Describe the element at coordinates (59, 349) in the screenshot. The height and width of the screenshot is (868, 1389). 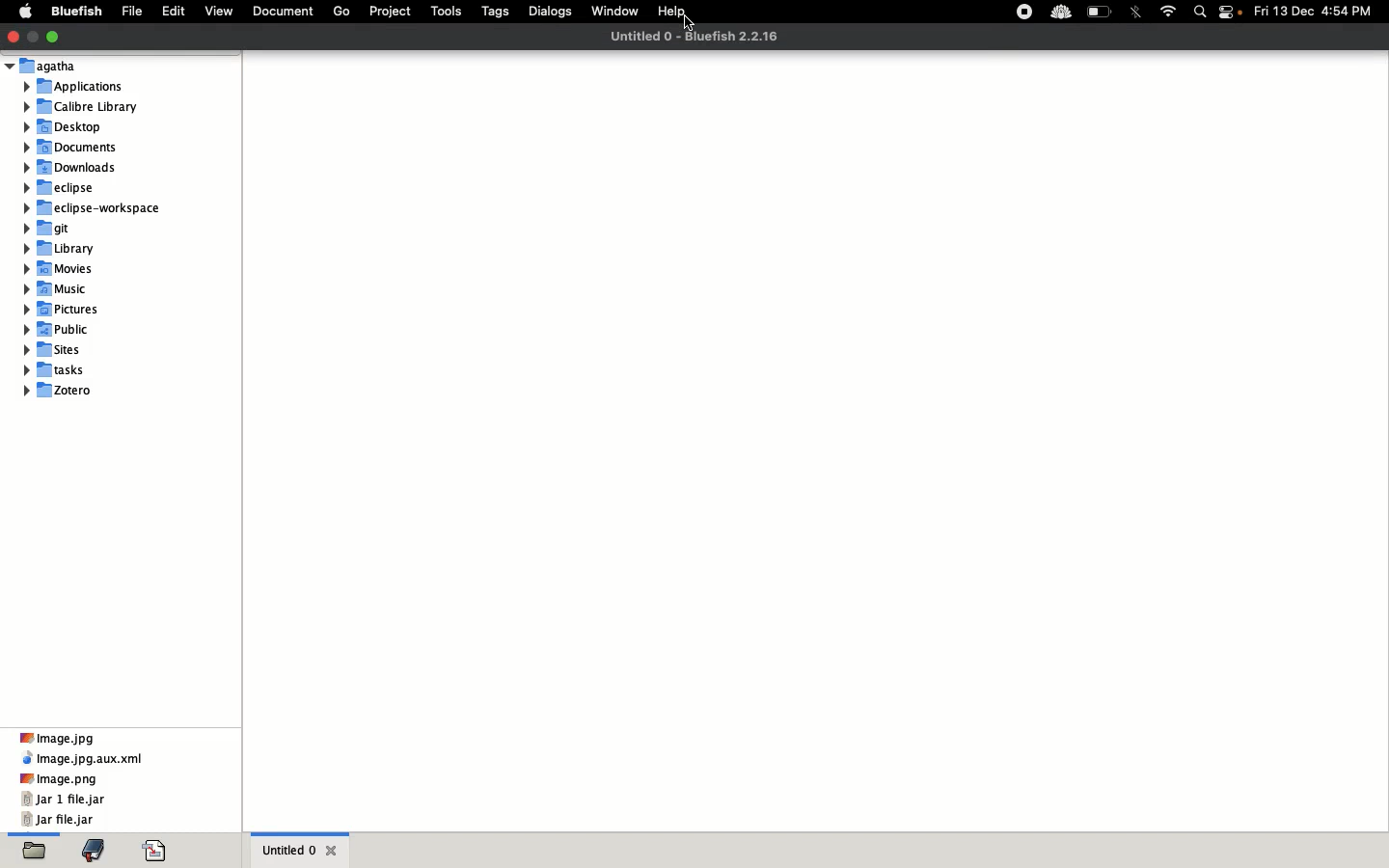
I see `sites` at that location.